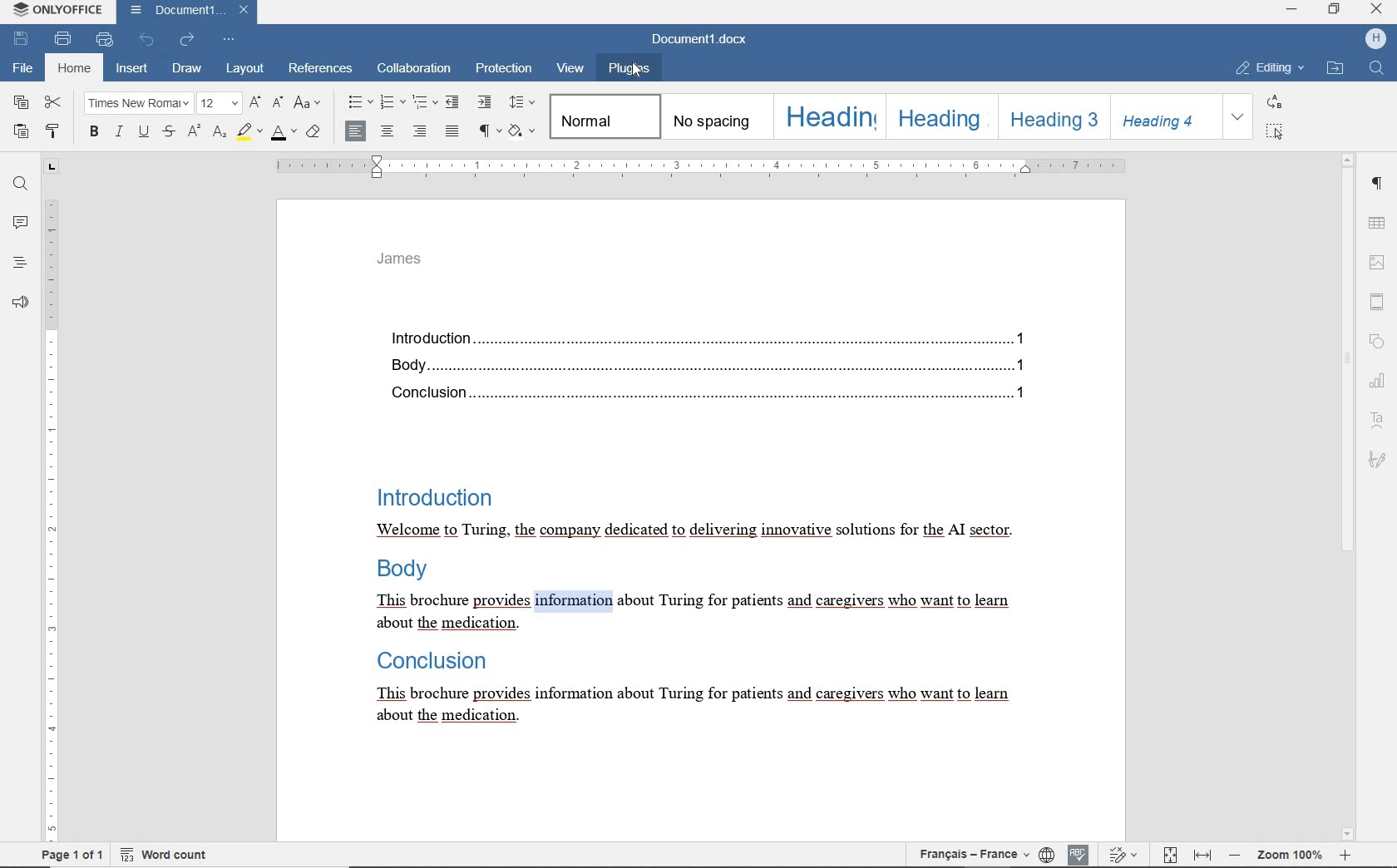 This screenshot has height=868, width=1397. Describe the element at coordinates (18, 223) in the screenshot. I see `COMMENTS` at that location.